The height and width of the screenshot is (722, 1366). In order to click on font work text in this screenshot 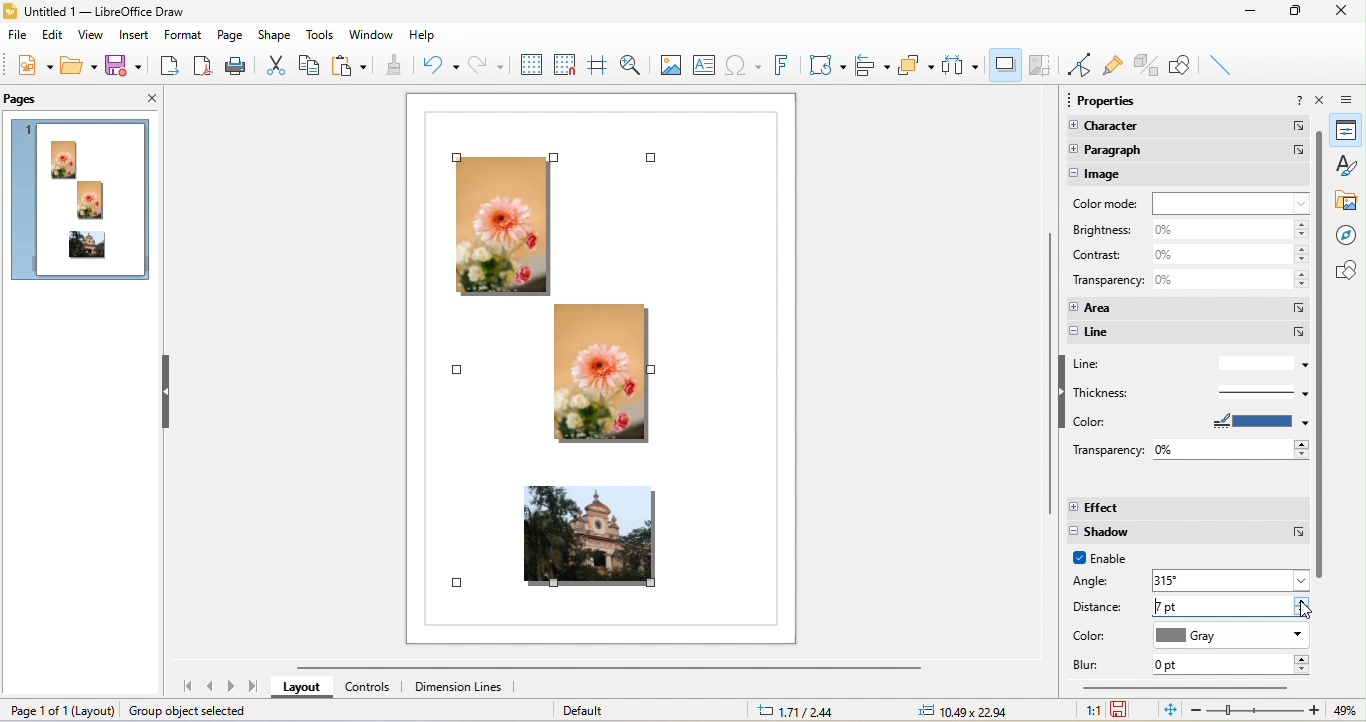, I will do `click(779, 65)`.